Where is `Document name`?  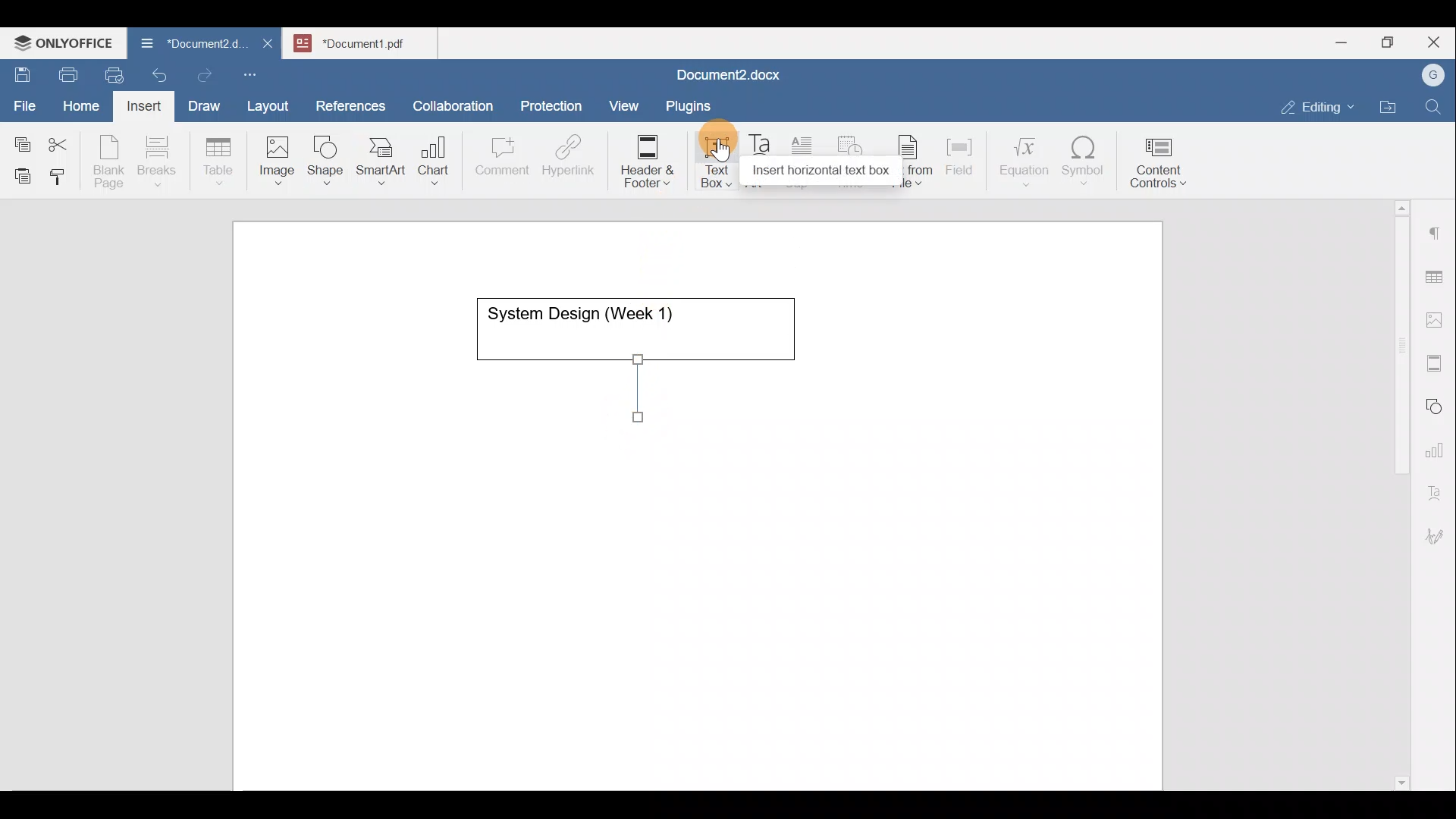
Document name is located at coordinates (185, 45).